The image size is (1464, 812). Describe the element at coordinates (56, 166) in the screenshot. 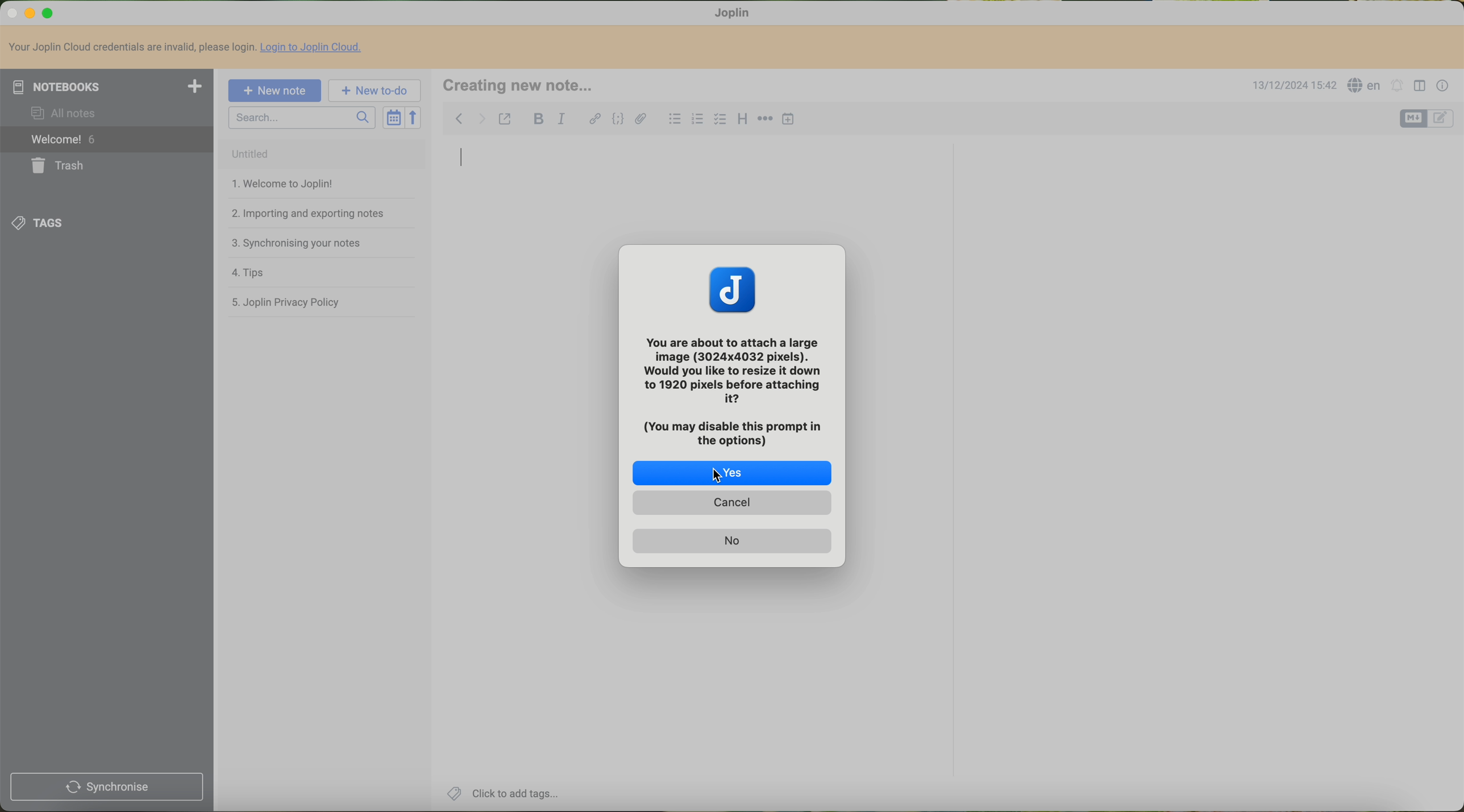

I see `trash` at that location.